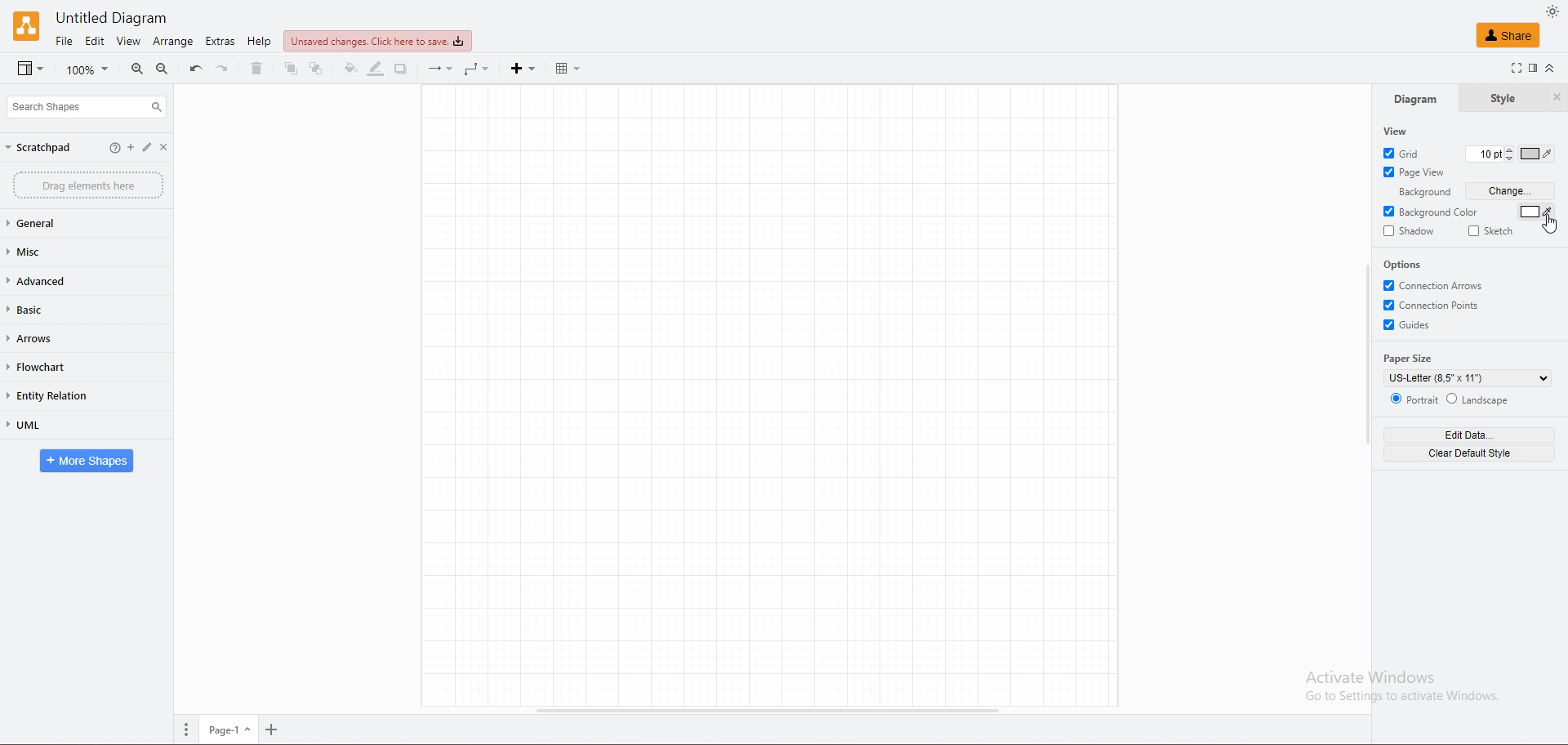 This screenshot has width=1568, height=745. Describe the element at coordinates (1414, 398) in the screenshot. I see `portrait` at that location.